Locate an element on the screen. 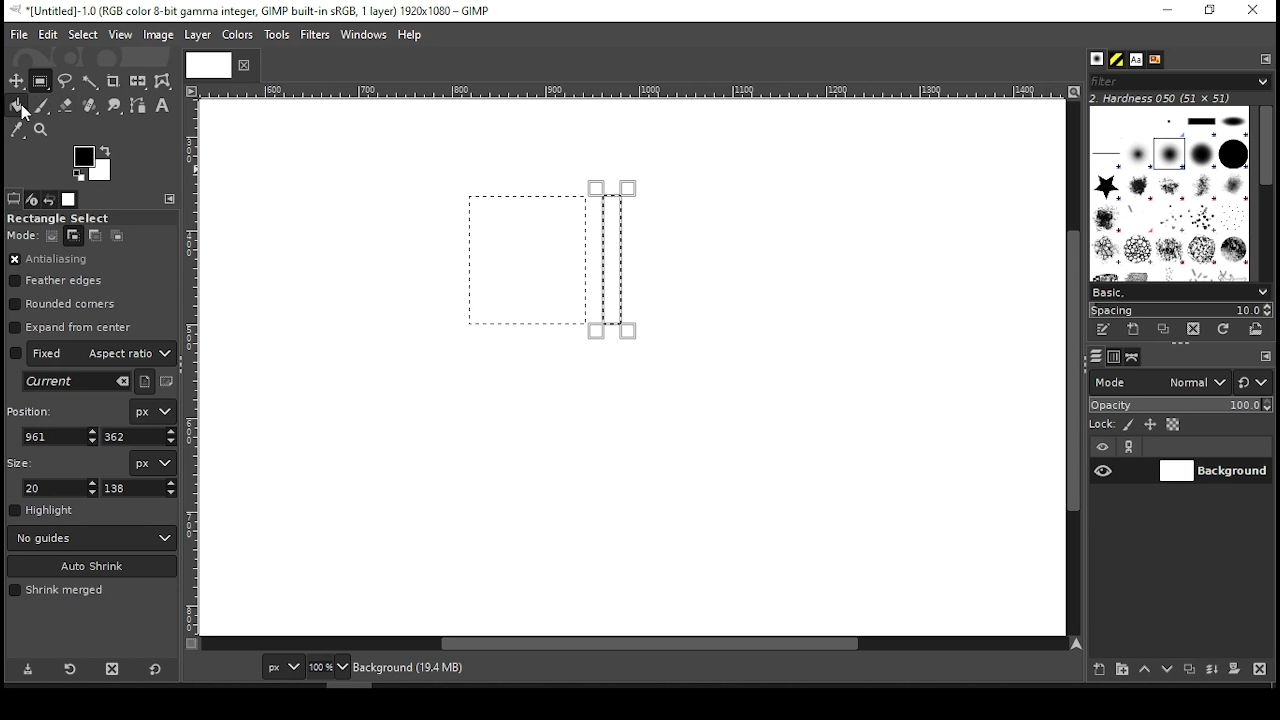 Image resolution: width=1280 pixels, height=720 pixels. smudge tool is located at coordinates (116, 106).